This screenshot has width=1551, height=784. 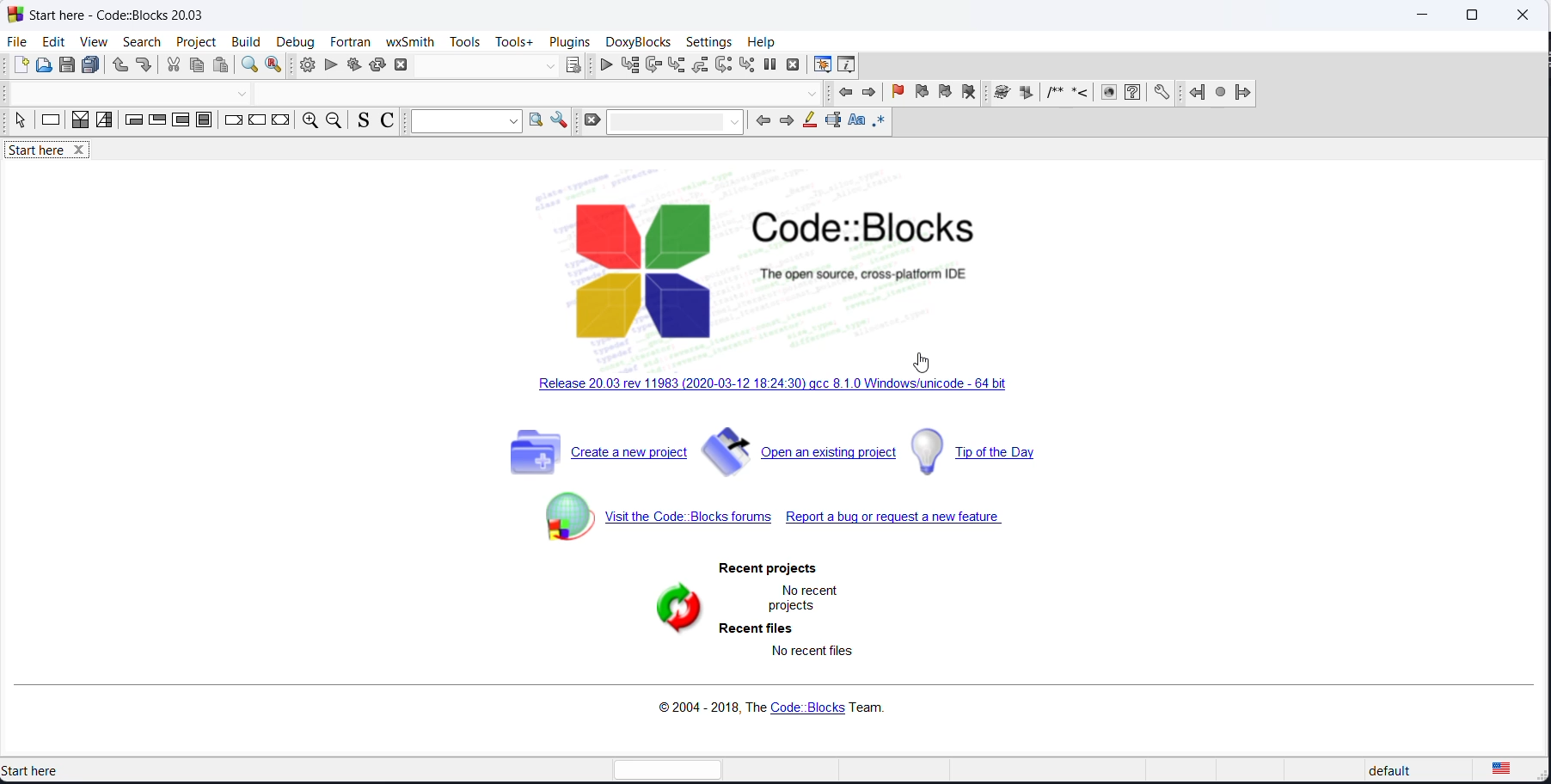 I want to click on project, so click(x=193, y=42).